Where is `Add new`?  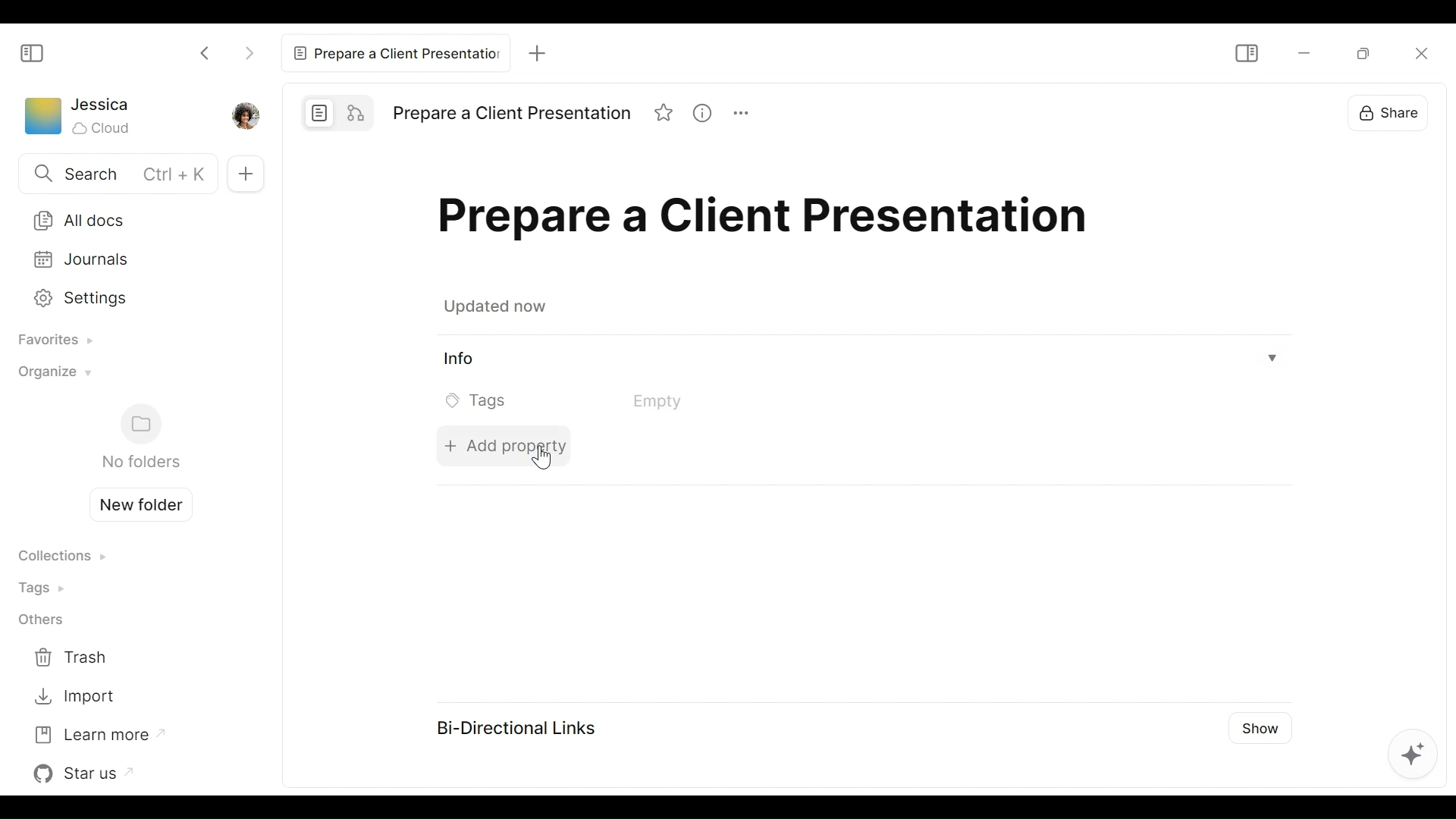 Add new is located at coordinates (243, 173).